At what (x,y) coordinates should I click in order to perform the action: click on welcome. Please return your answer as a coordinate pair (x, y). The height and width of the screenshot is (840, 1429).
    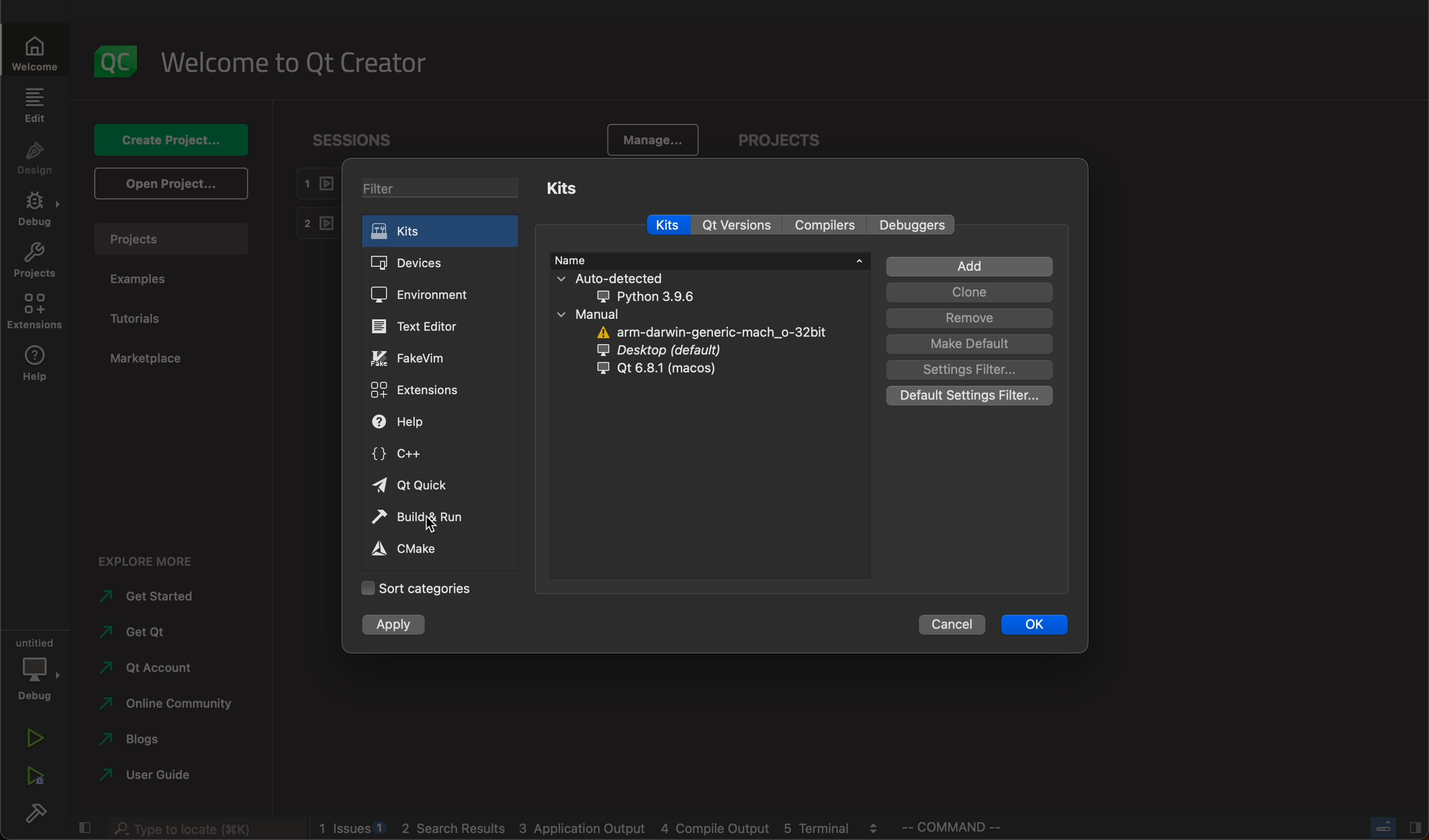
    Looking at the image, I should click on (34, 51).